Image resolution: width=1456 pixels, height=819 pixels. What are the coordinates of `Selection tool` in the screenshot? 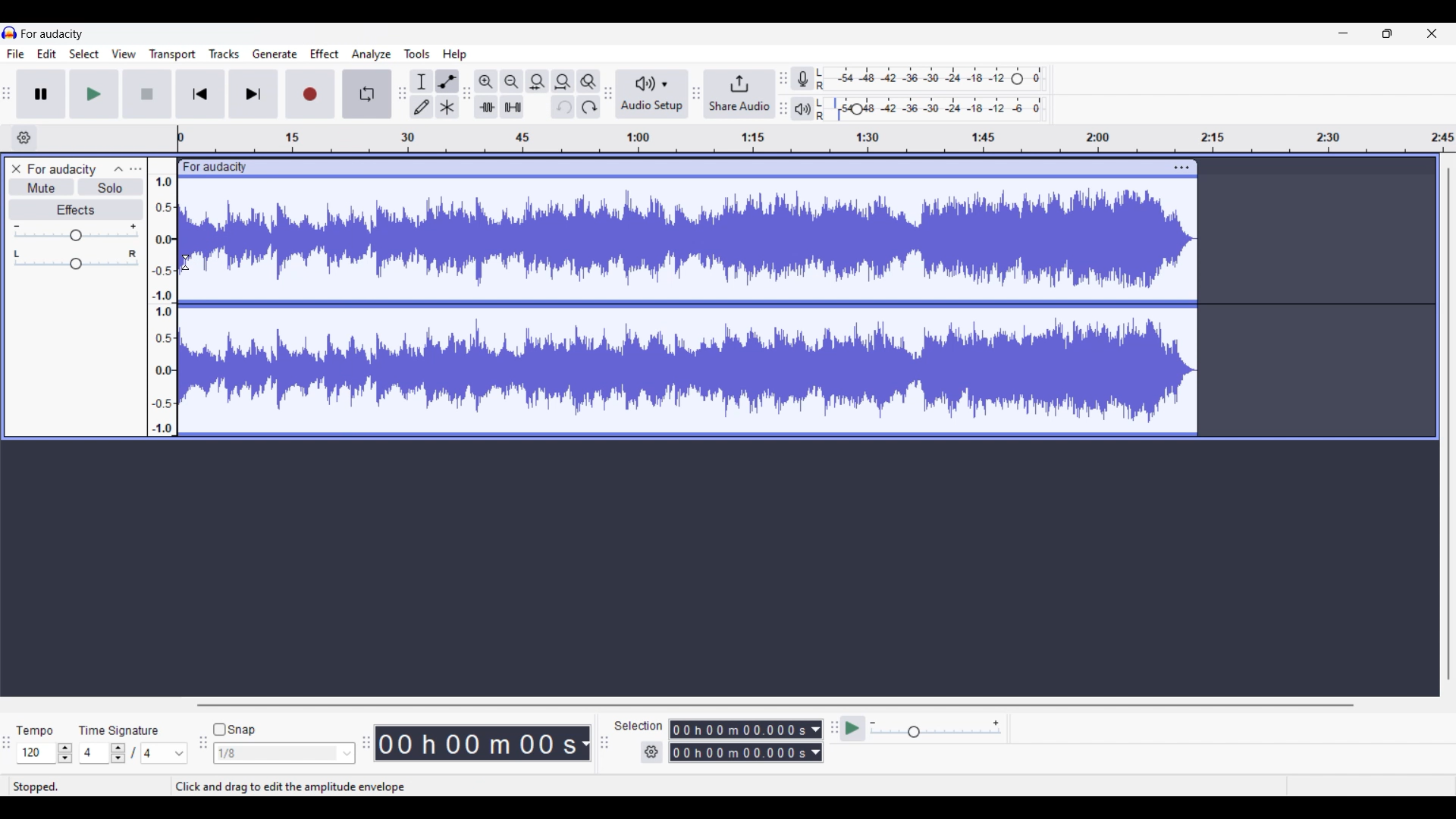 It's located at (422, 82).